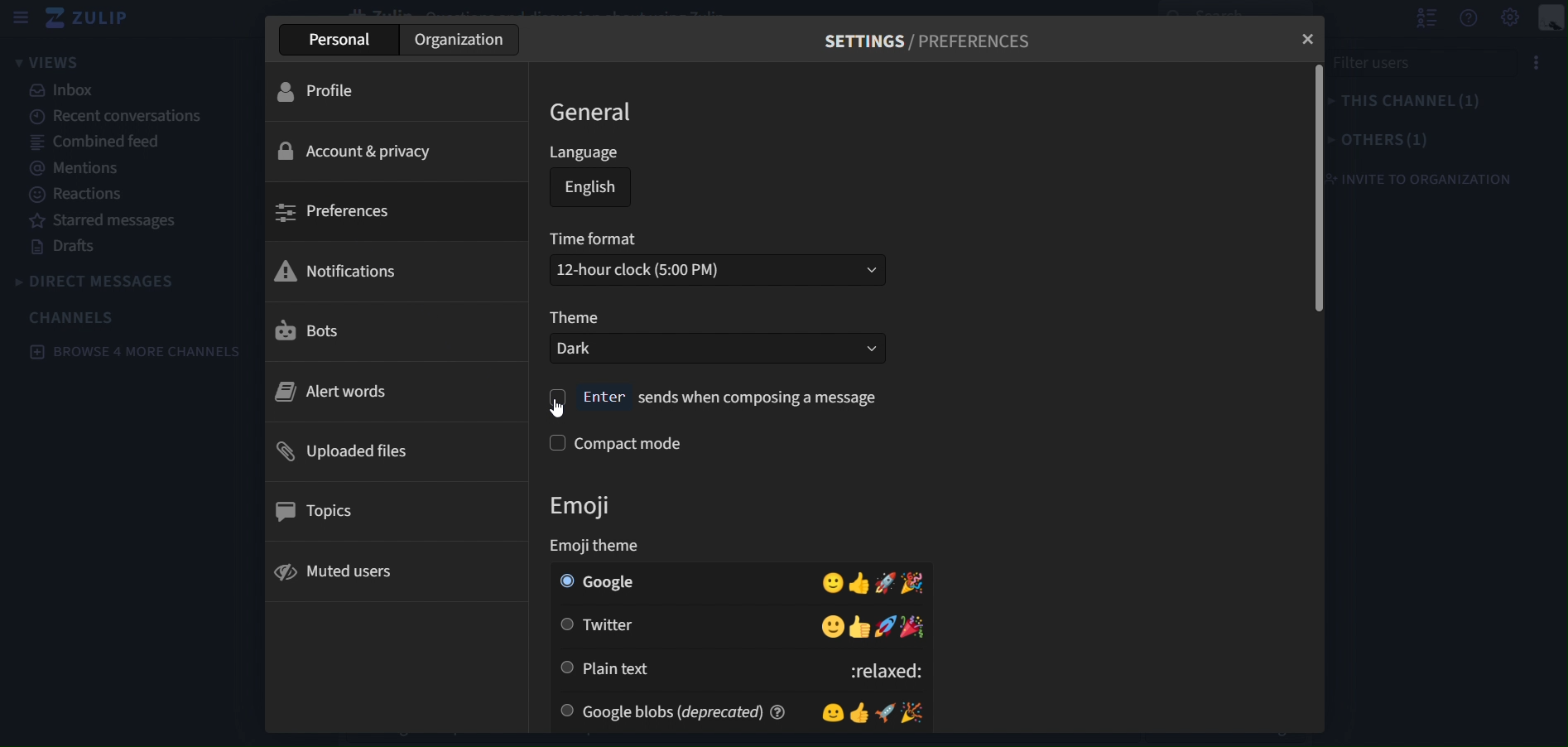 This screenshot has height=747, width=1568. What do you see at coordinates (599, 523) in the screenshot?
I see `emoji` at bounding box center [599, 523].